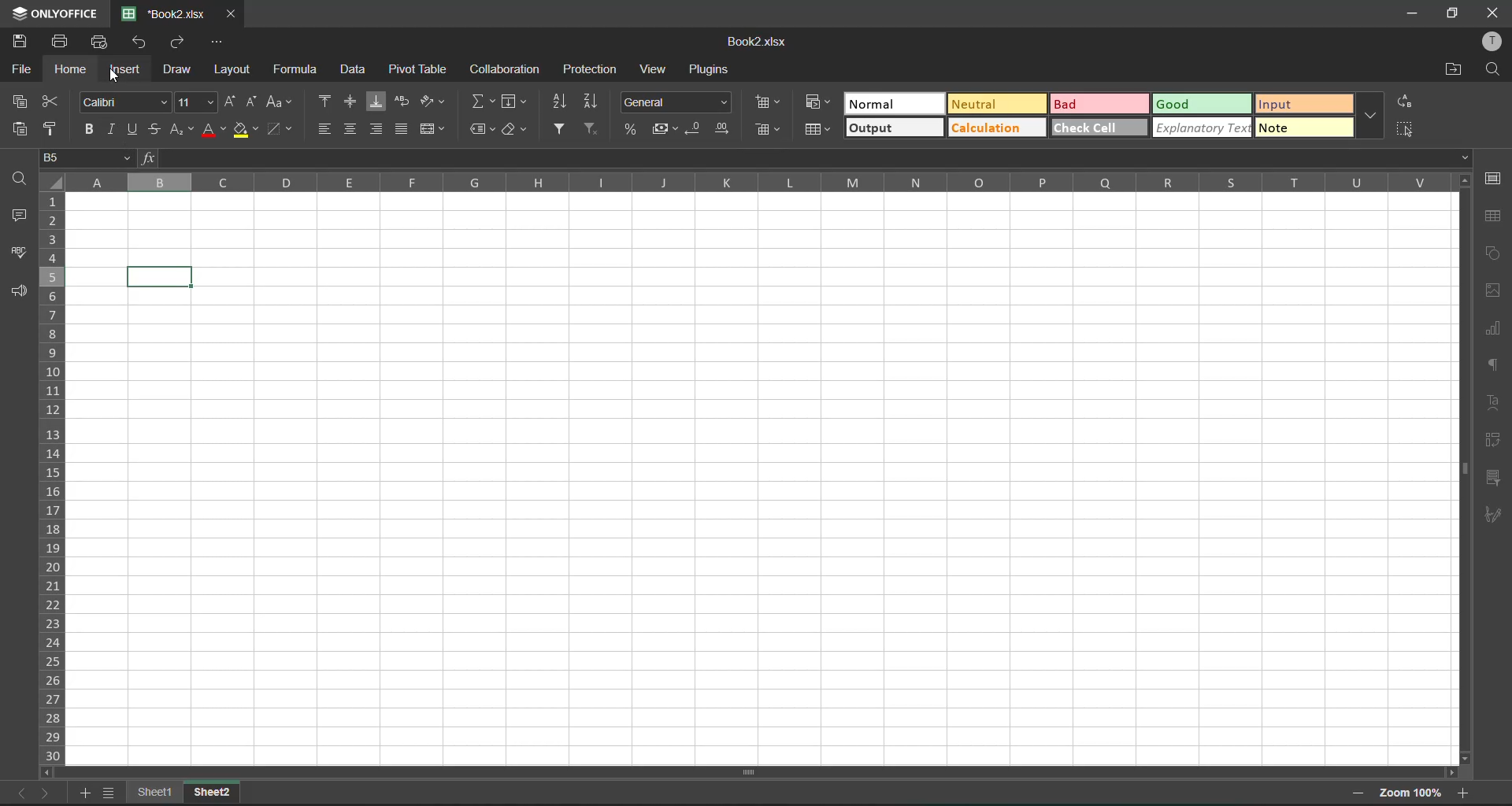 The width and height of the screenshot is (1512, 806). Describe the element at coordinates (1495, 289) in the screenshot. I see `images` at that location.